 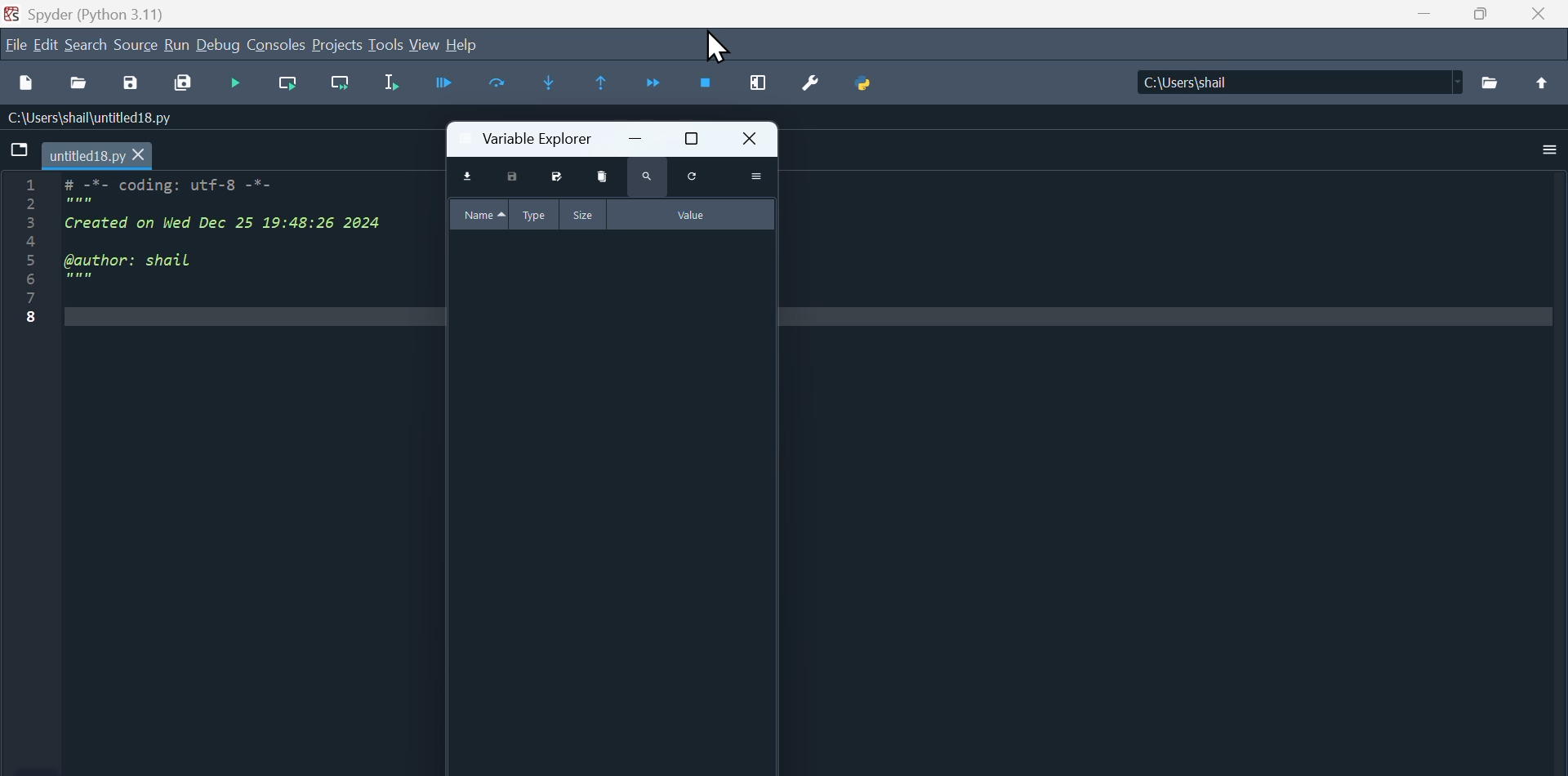 What do you see at coordinates (1493, 83) in the screenshot?
I see `open folder` at bounding box center [1493, 83].